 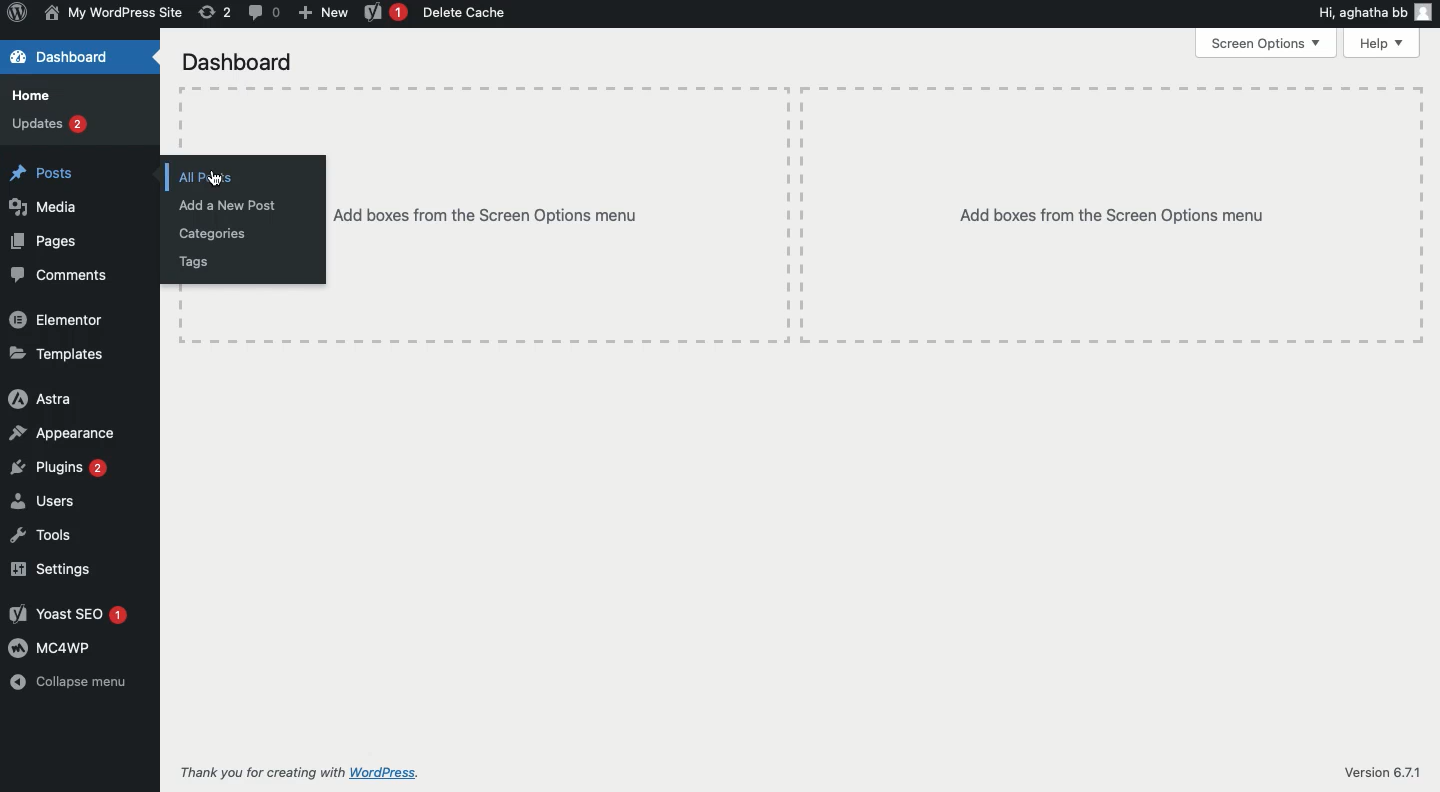 What do you see at coordinates (1376, 773) in the screenshot?
I see `Version 6.7` at bounding box center [1376, 773].